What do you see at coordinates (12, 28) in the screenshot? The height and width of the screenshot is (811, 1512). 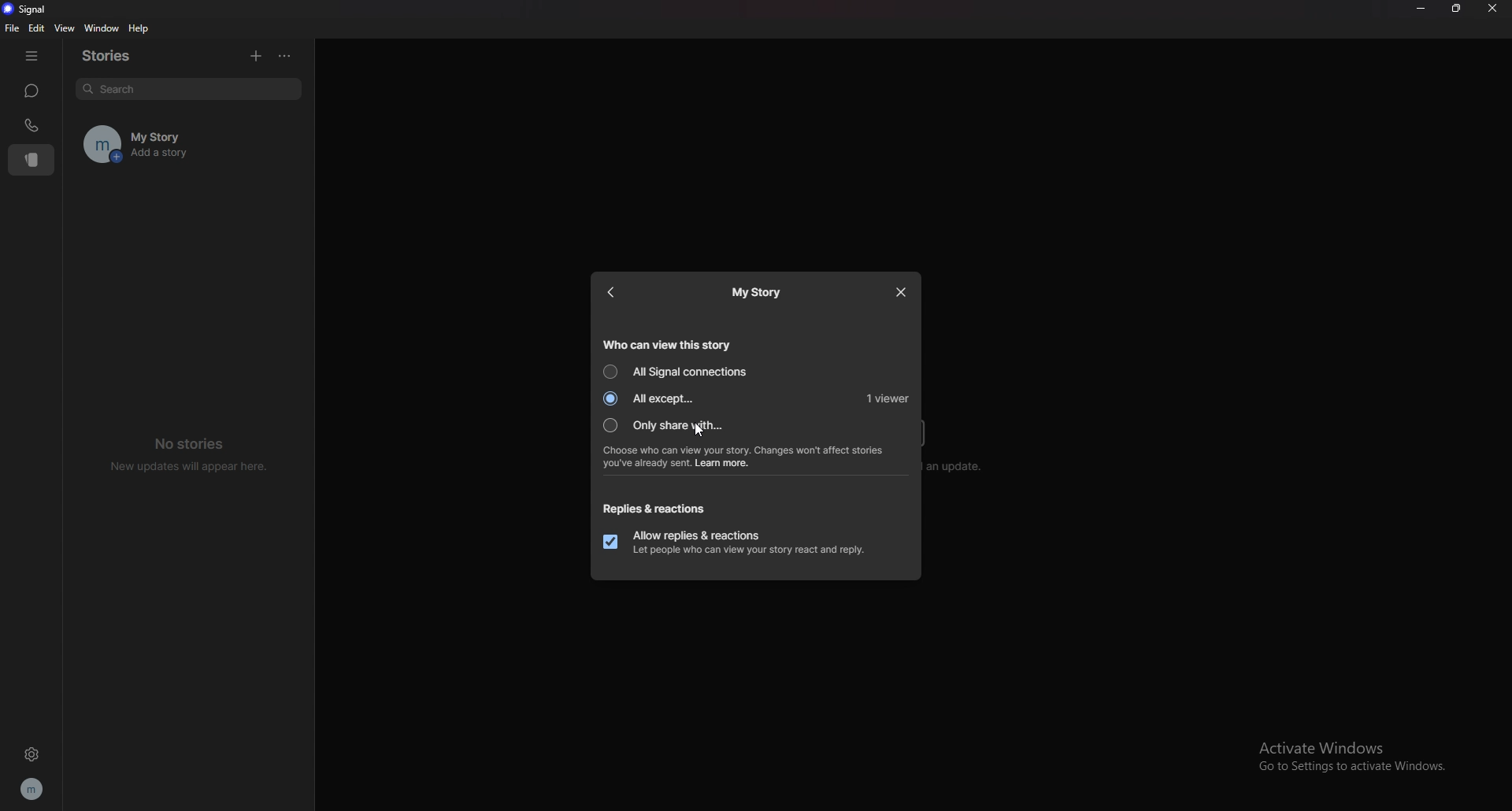 I see `file` at bounding box center [12, 28].